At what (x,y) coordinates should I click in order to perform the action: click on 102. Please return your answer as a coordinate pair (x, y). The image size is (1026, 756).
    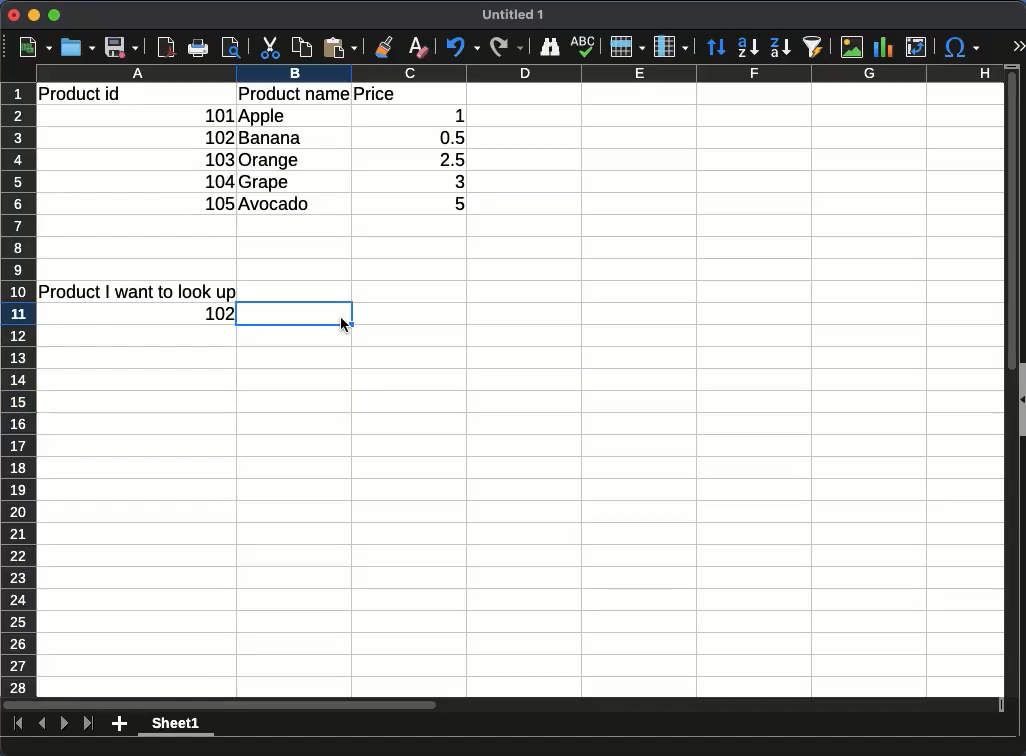
    Looking at the image, I should click on (219, 138).